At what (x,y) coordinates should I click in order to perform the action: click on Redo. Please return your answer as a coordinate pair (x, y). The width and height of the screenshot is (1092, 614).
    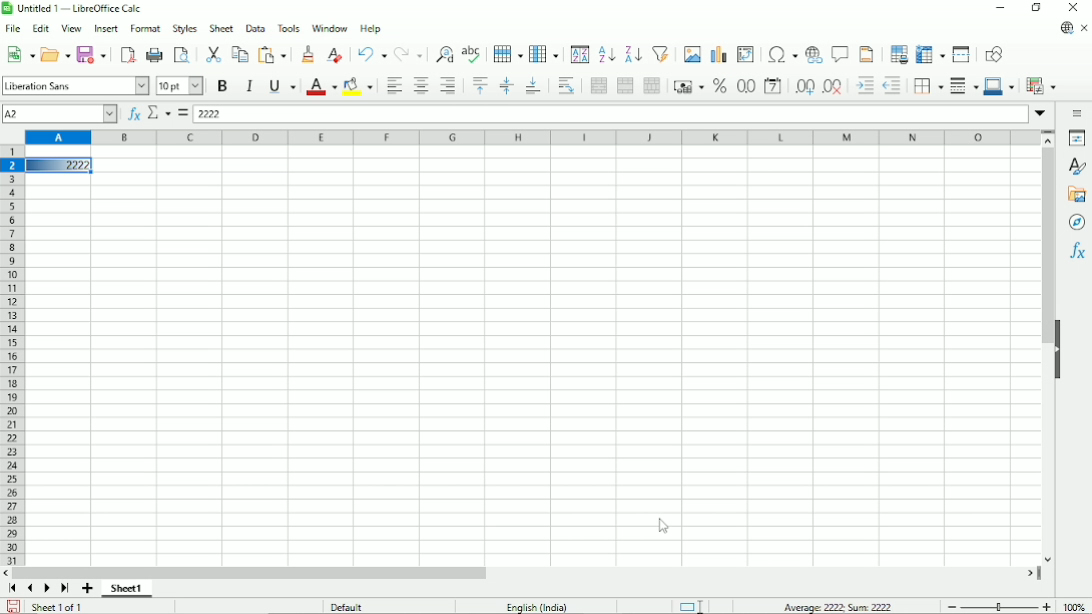
    Looking at the image, I should click on (408, 54).